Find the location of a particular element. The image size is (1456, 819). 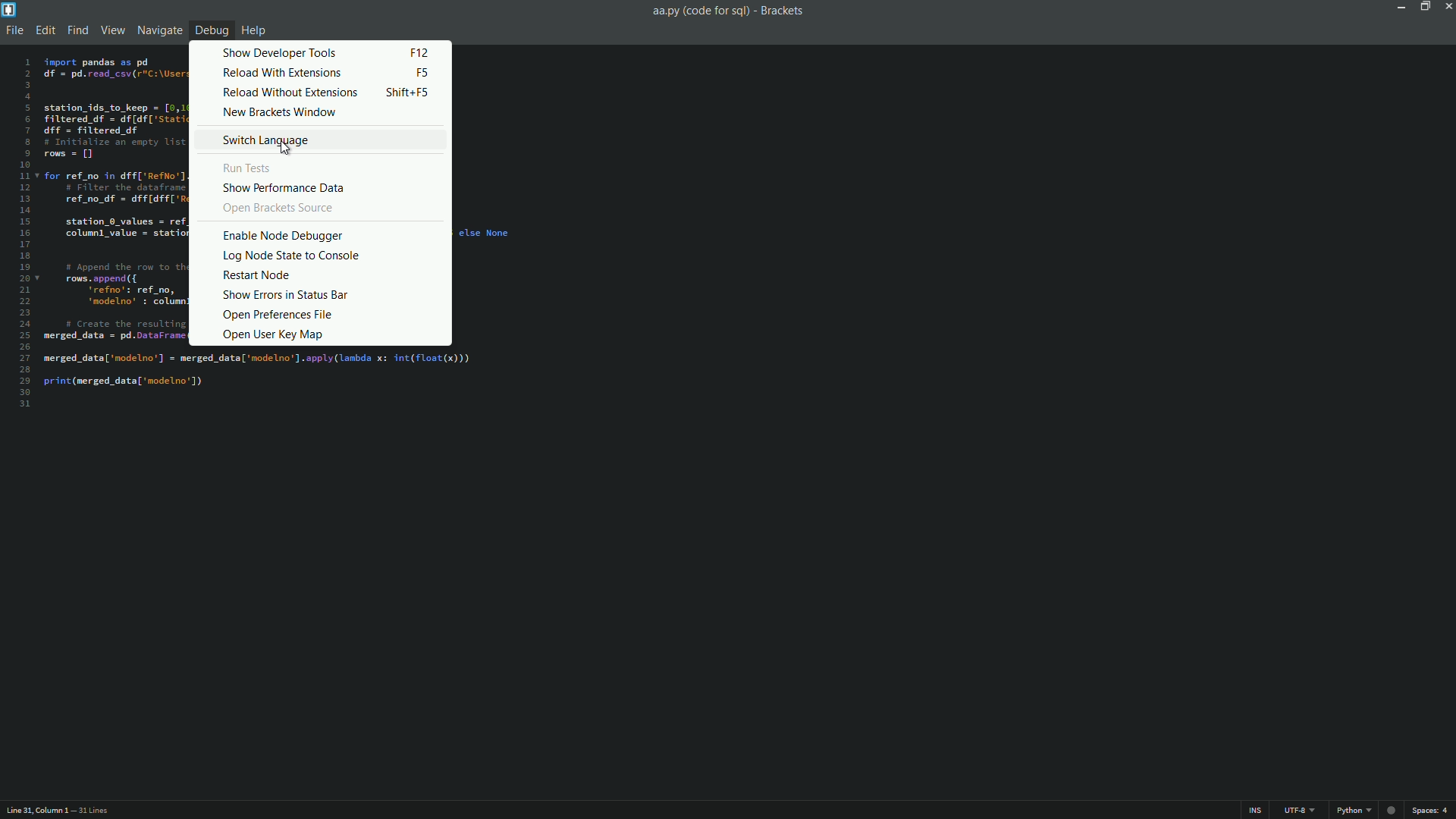

restart node is located at coordinates (256, 276).